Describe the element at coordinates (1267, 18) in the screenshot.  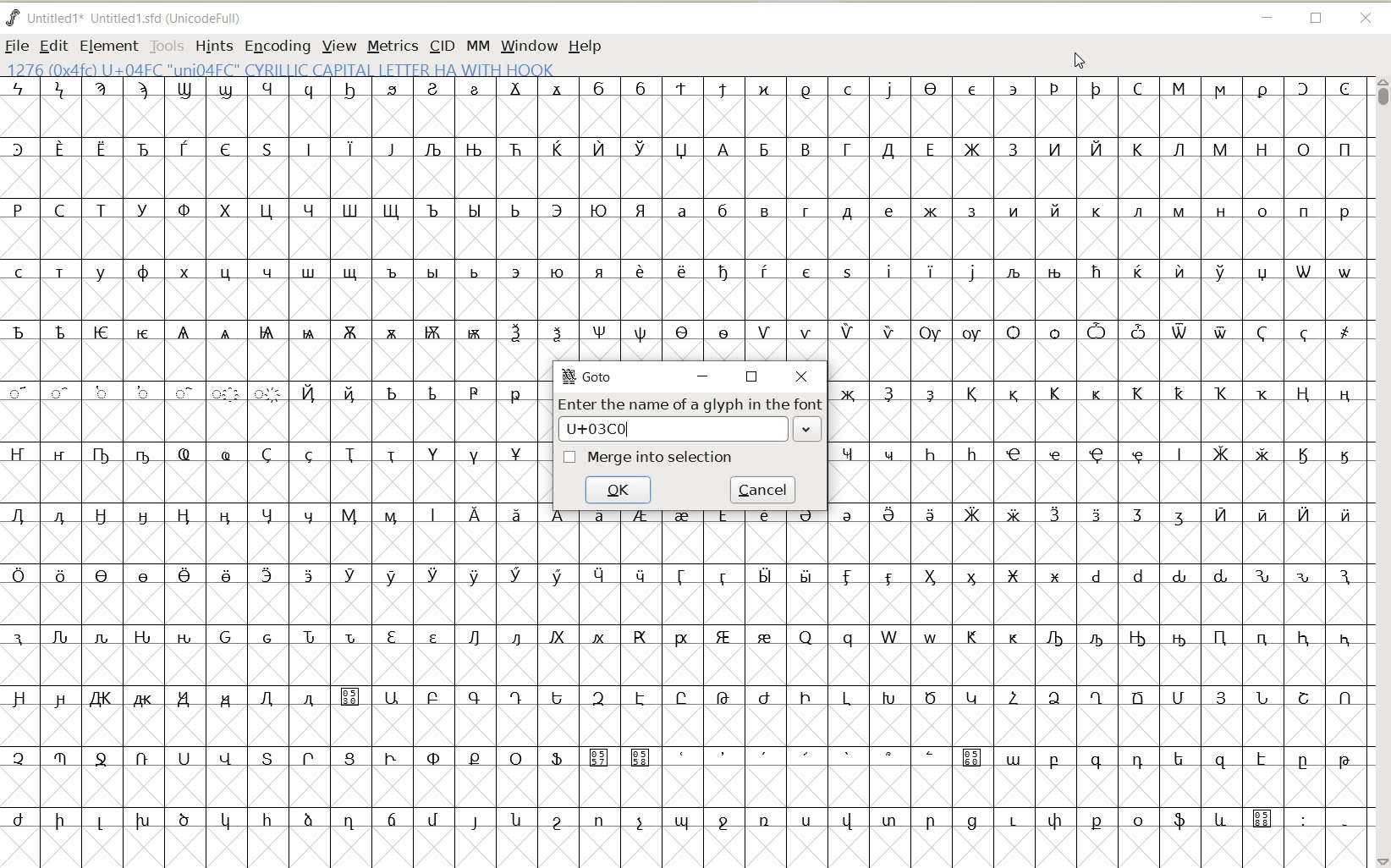
I see `MINIMIZE` at that location.